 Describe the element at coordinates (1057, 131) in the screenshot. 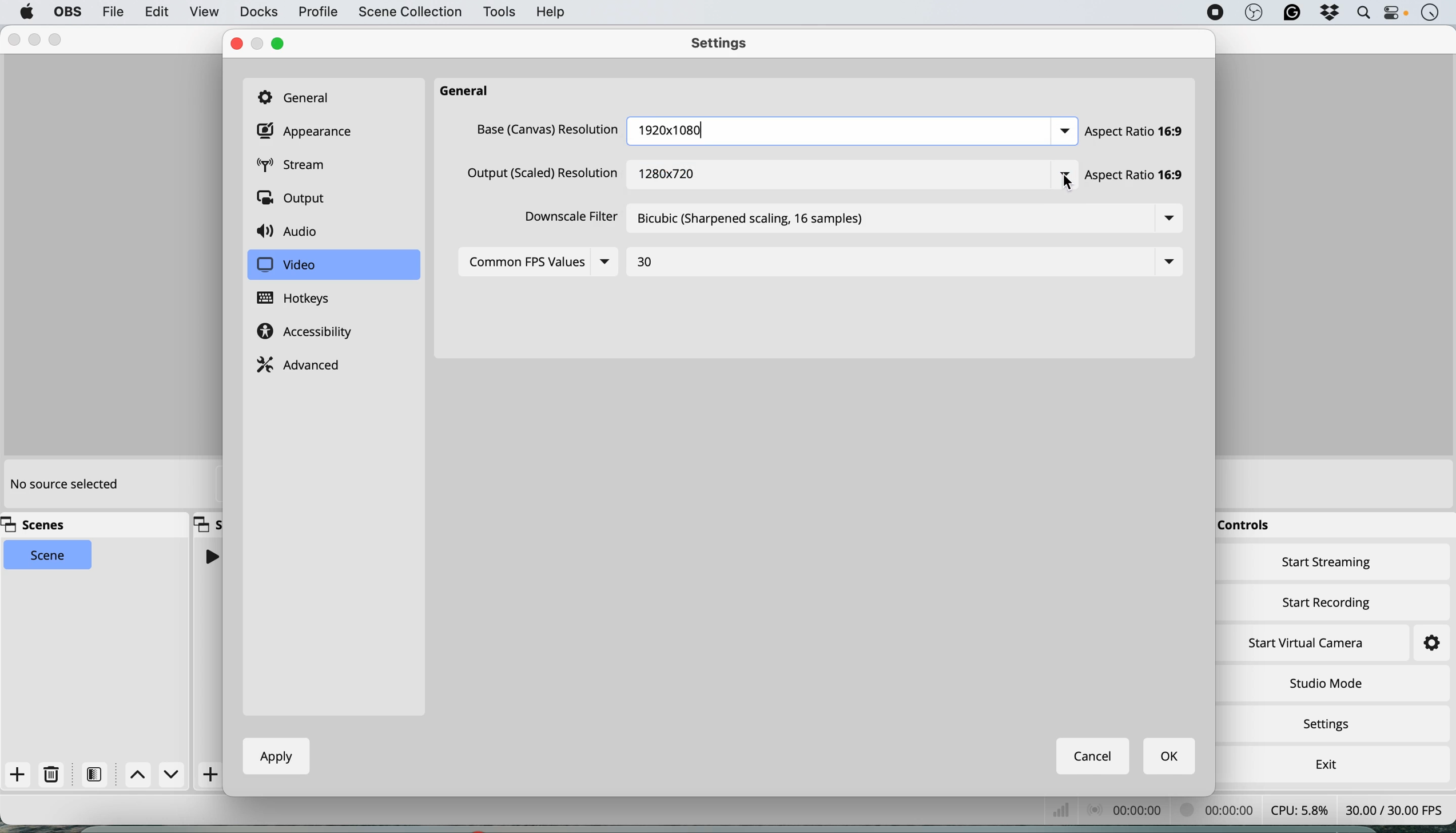

I see `List item` at that location.